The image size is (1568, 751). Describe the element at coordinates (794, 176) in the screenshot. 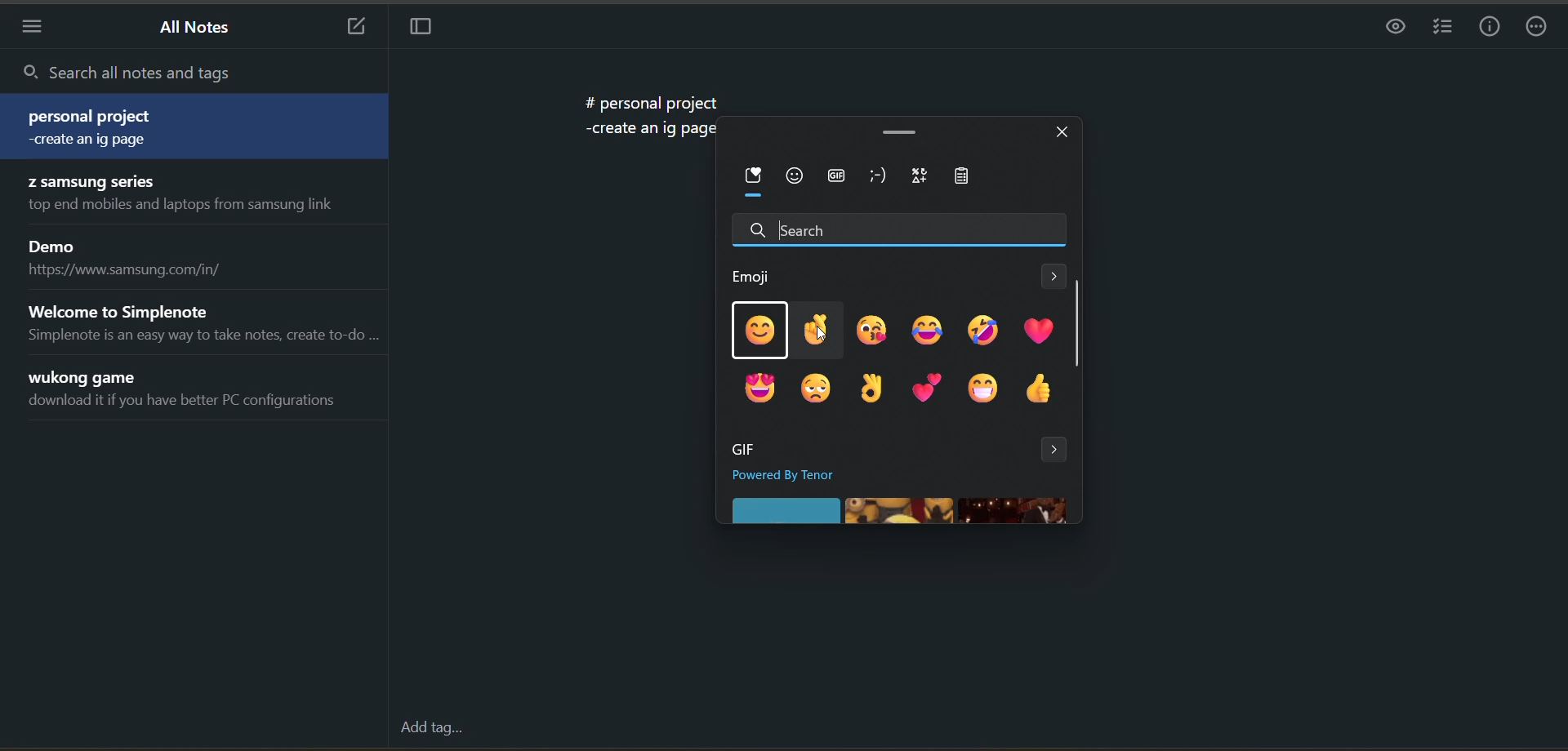

I see `emoji` at that location.